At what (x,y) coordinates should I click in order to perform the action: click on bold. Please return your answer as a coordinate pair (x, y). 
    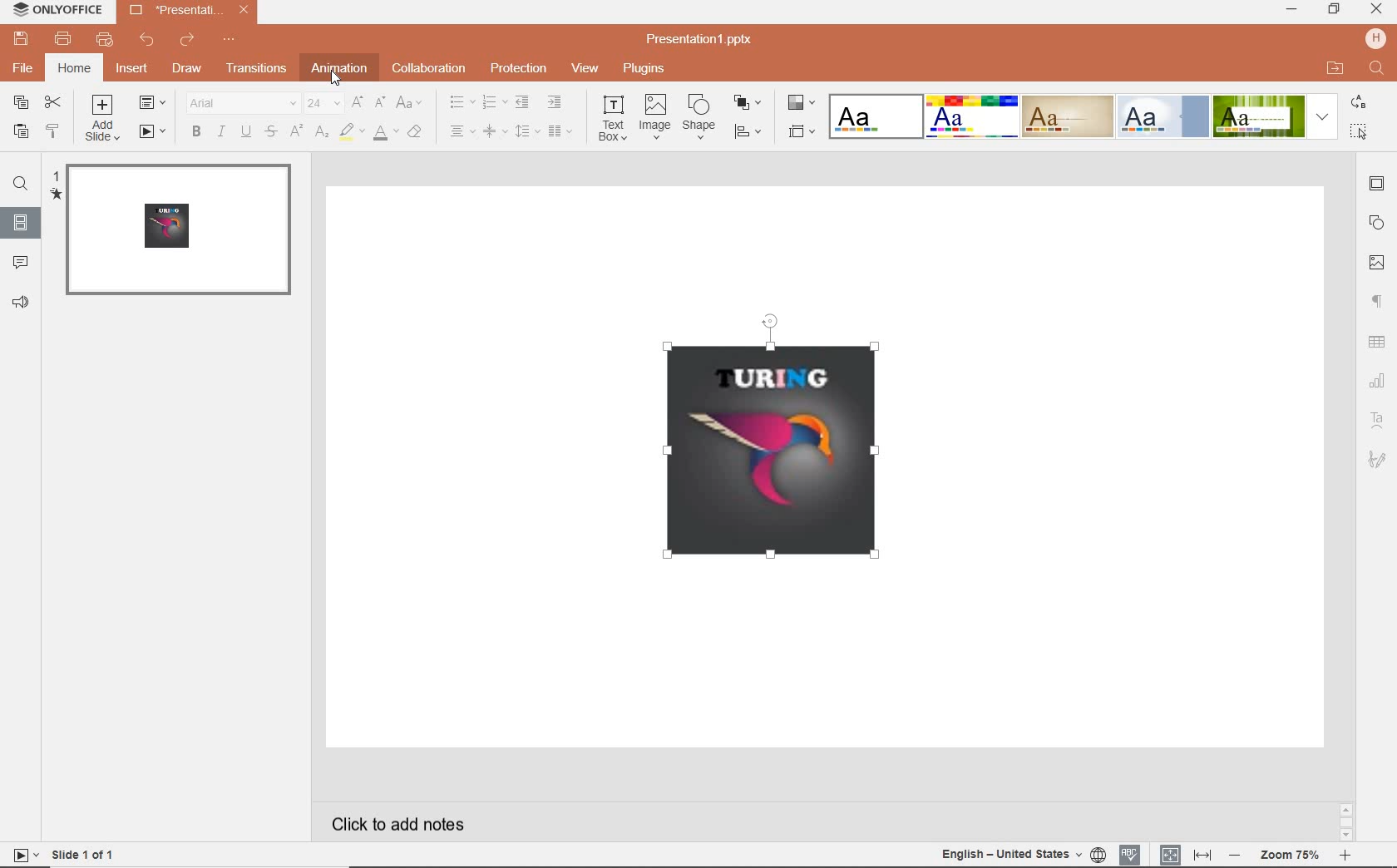
    Looking at the image, I should click on (195, 133).